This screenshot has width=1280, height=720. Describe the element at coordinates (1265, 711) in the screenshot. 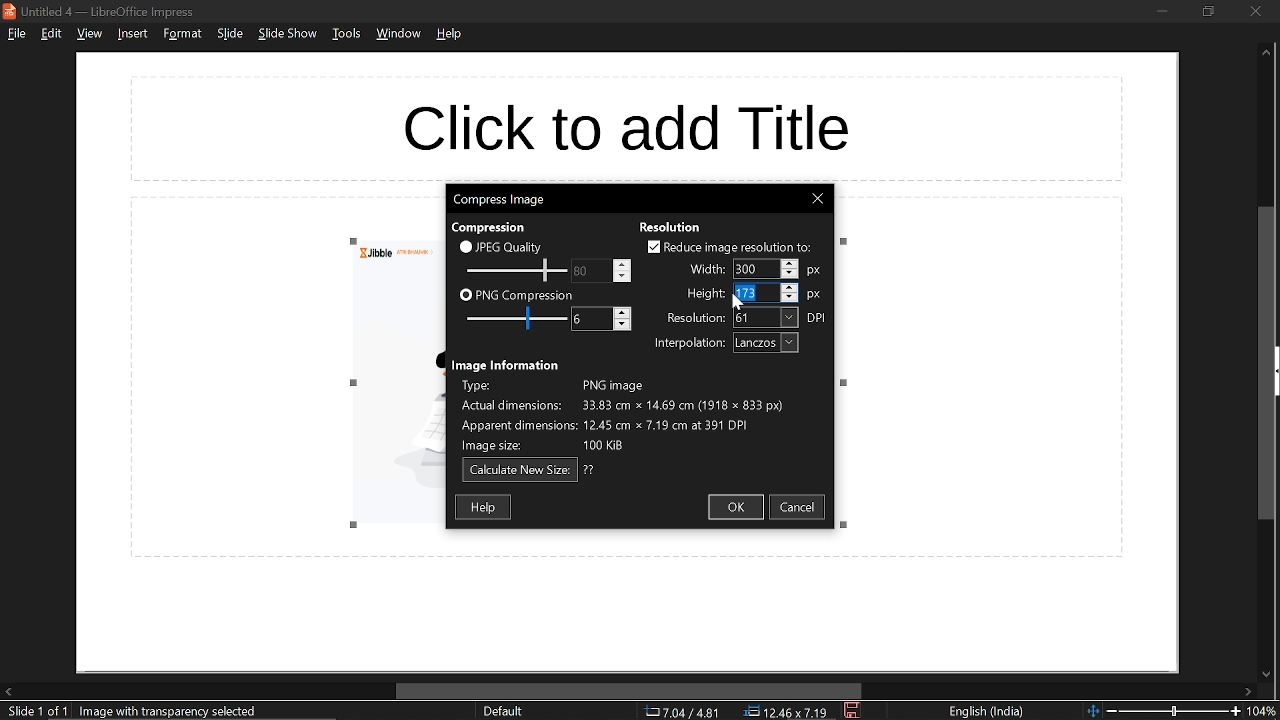

I see `current zoom` at that location.